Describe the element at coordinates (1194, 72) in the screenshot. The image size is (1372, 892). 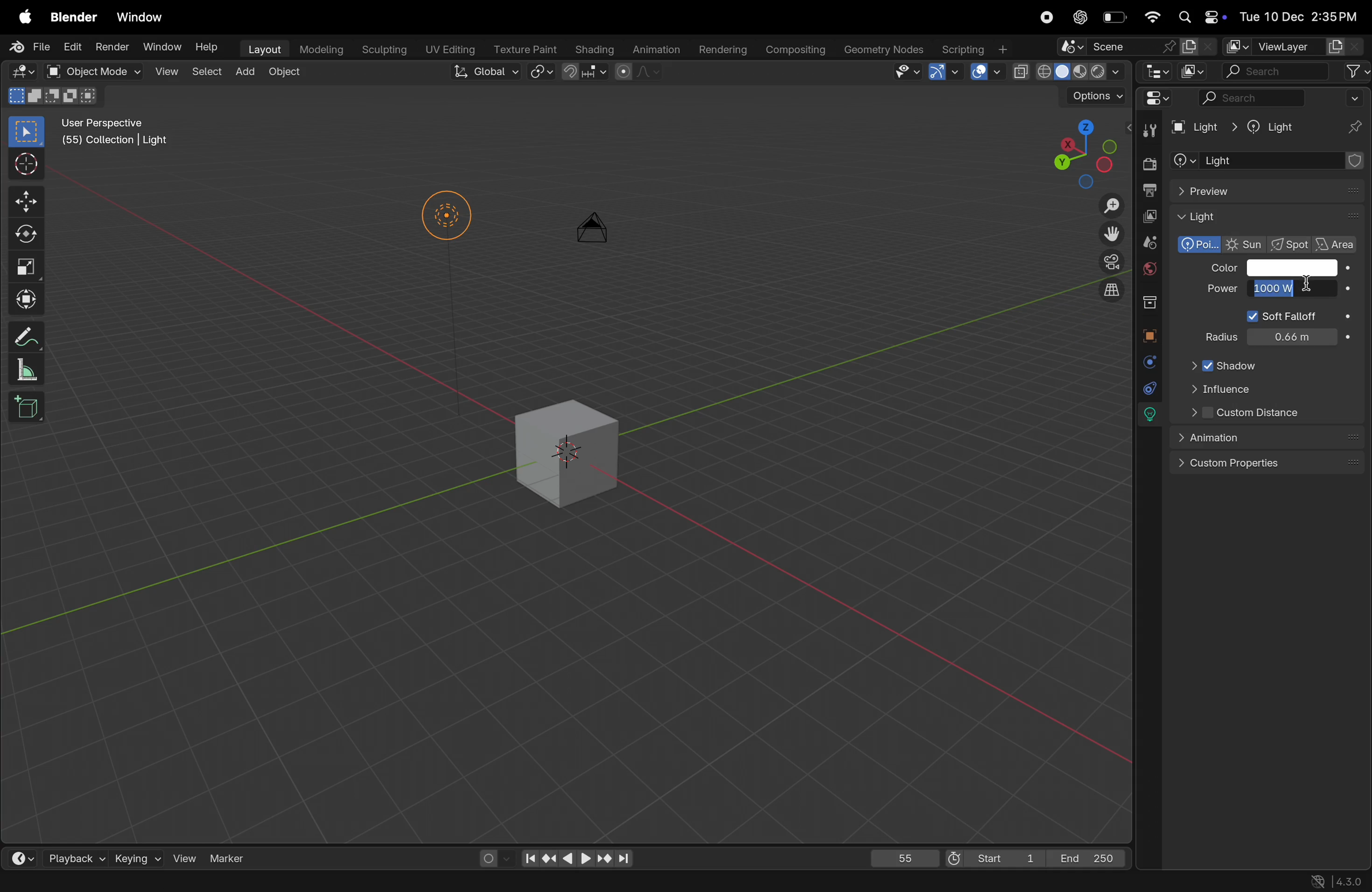
I see `display mode` at that location.